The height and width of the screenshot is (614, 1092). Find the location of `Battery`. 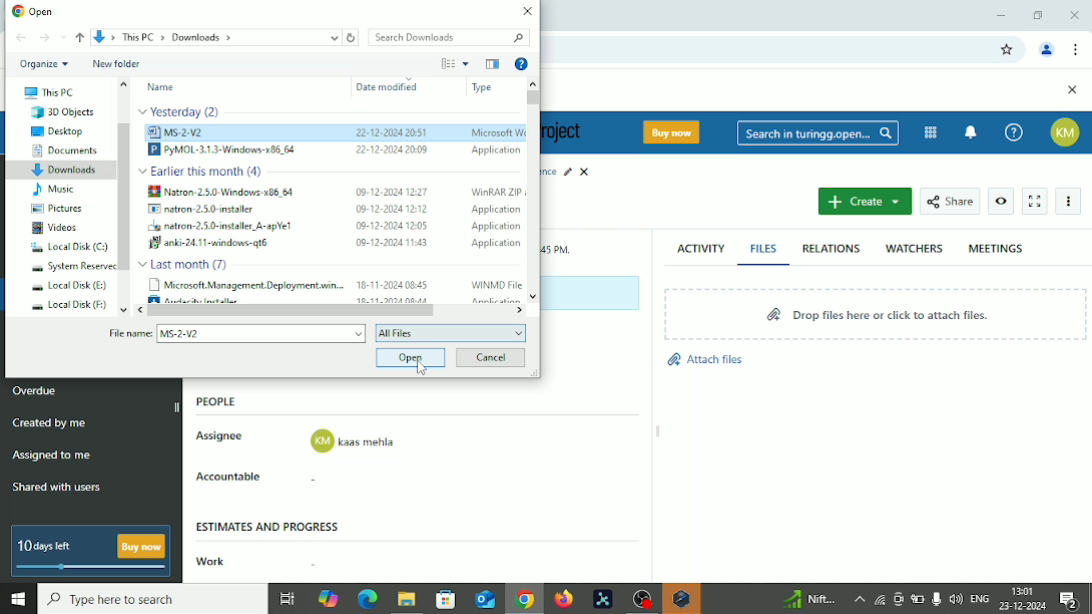

Battery is located at coordinates (918, 600).